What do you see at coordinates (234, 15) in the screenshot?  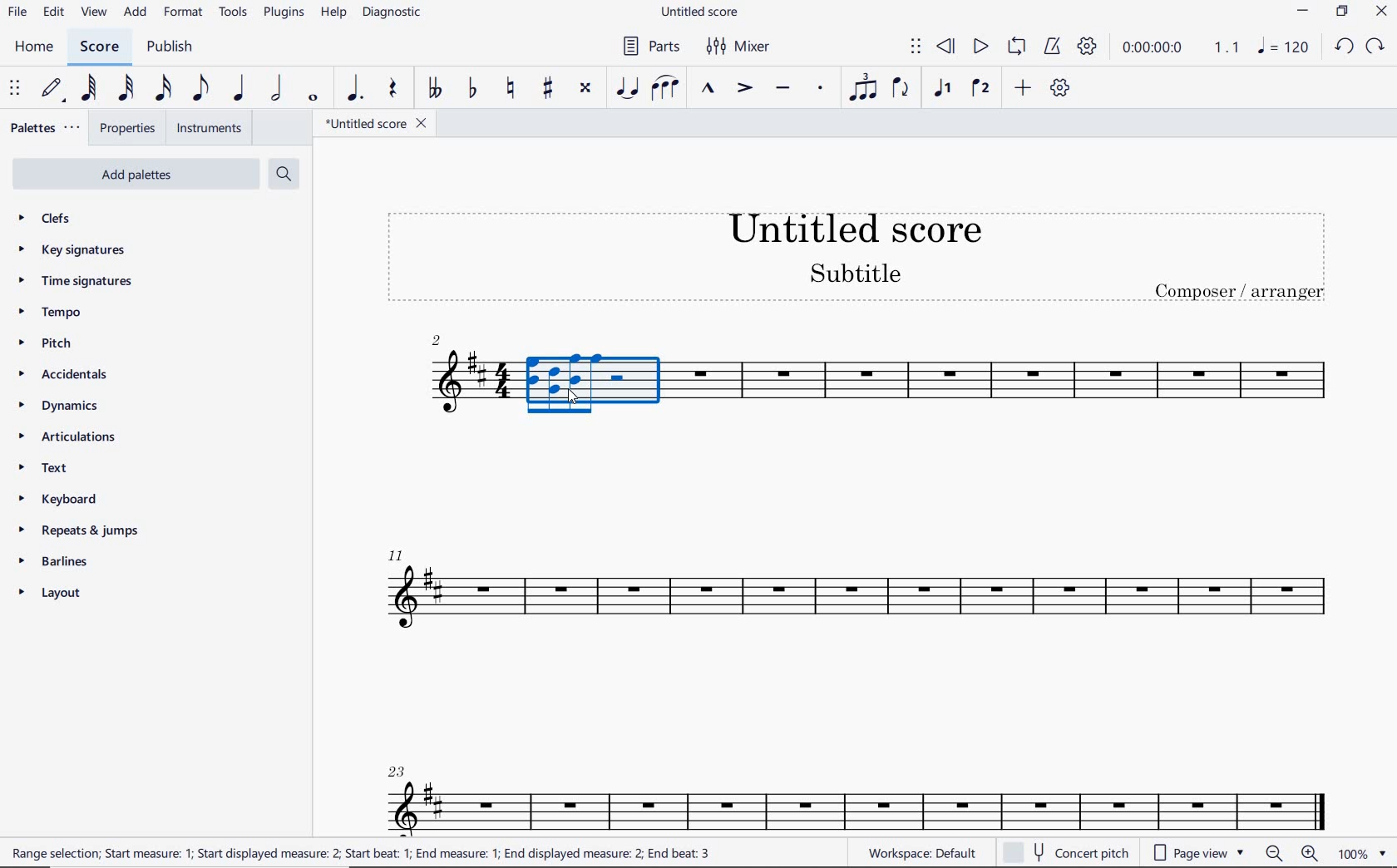 I see `TOOLS` at bounding box center [234, 15].